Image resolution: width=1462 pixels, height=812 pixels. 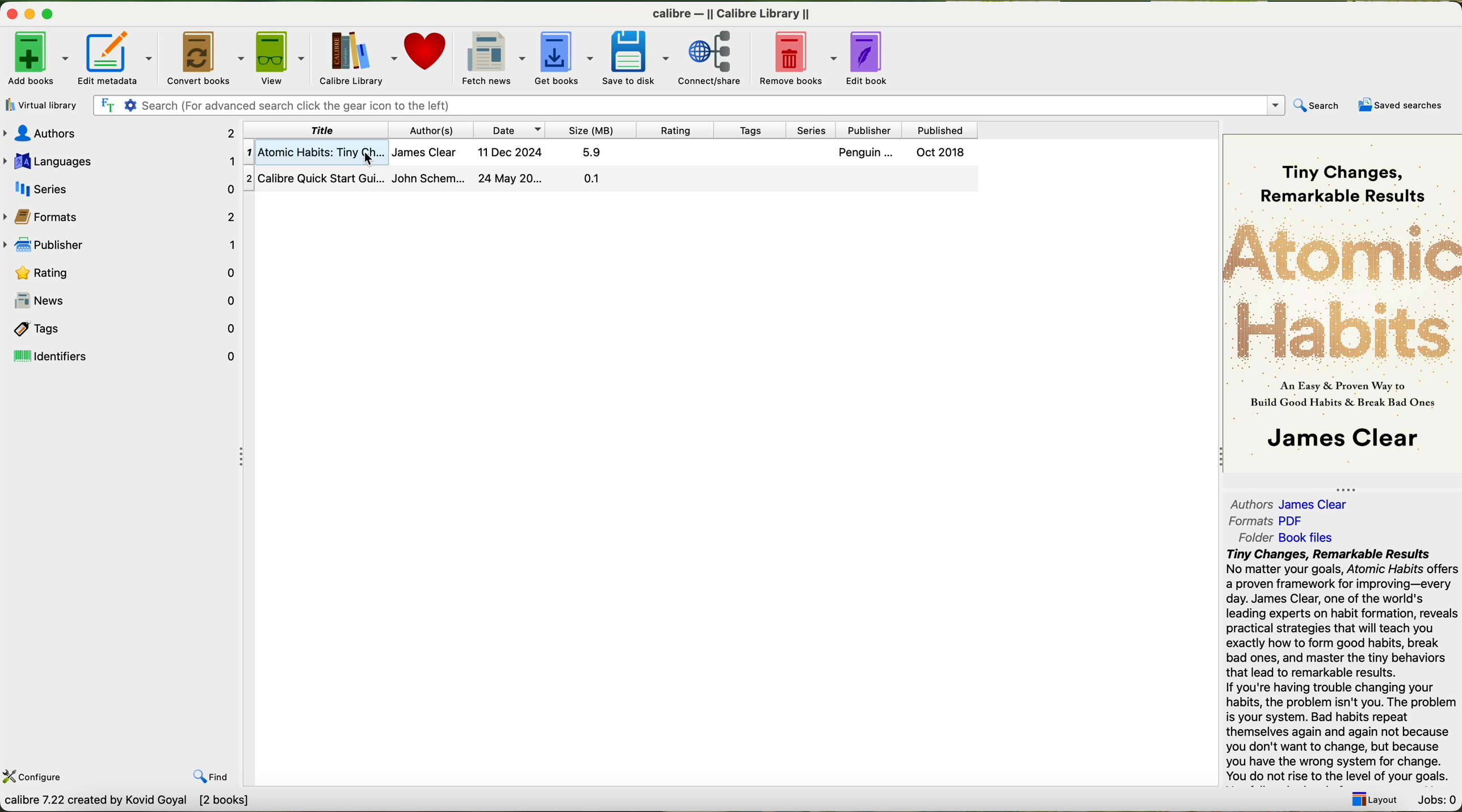 What do you see at coordinates (1401, 104) in the screenshot?
I see `saved searches` at bounding box center [1401, 104].